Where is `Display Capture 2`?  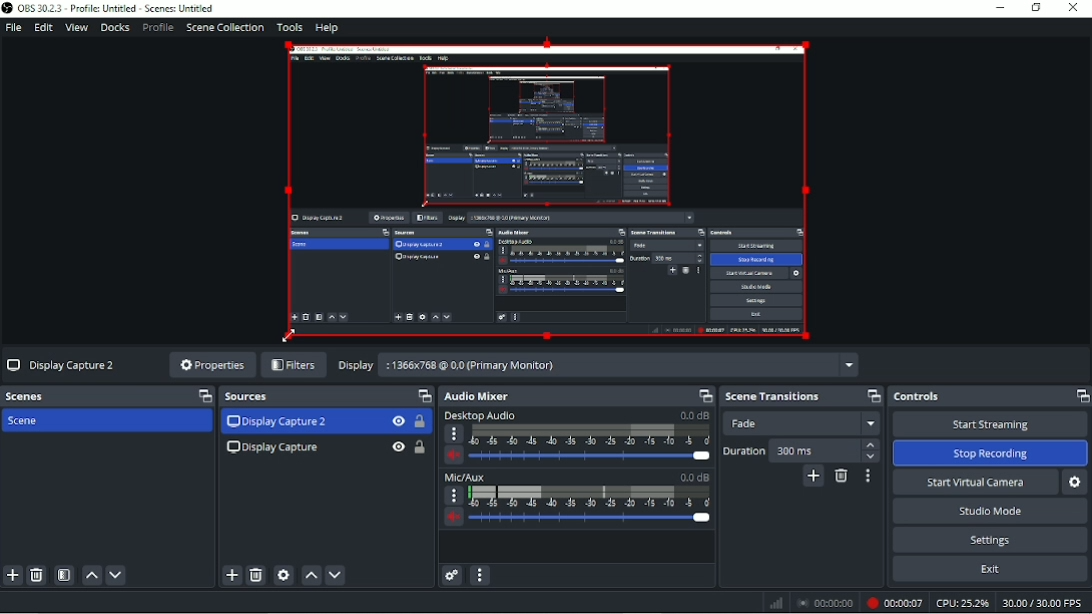 Display Capture 2 is located at coordinates (276, 422).